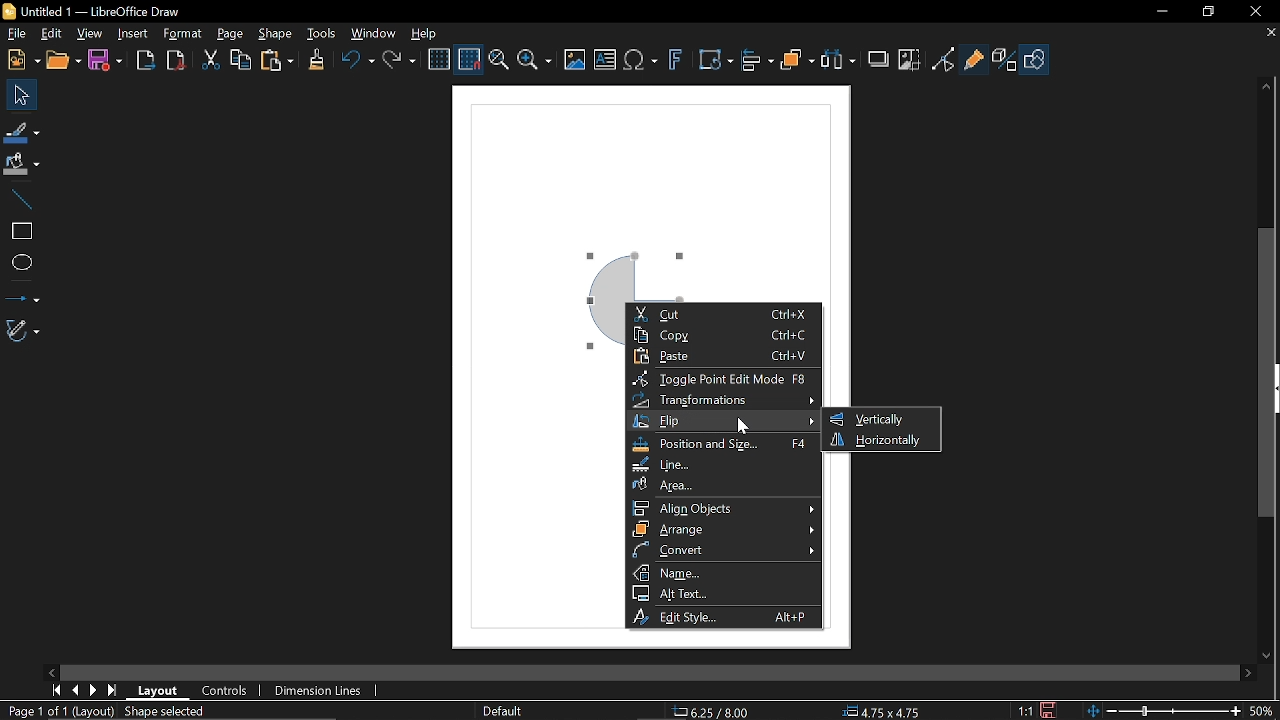  What do you see at coordinates (722, 335) in the screenshot?
I see `Copy  Ctrl+C` at bounding box center [722, 335].